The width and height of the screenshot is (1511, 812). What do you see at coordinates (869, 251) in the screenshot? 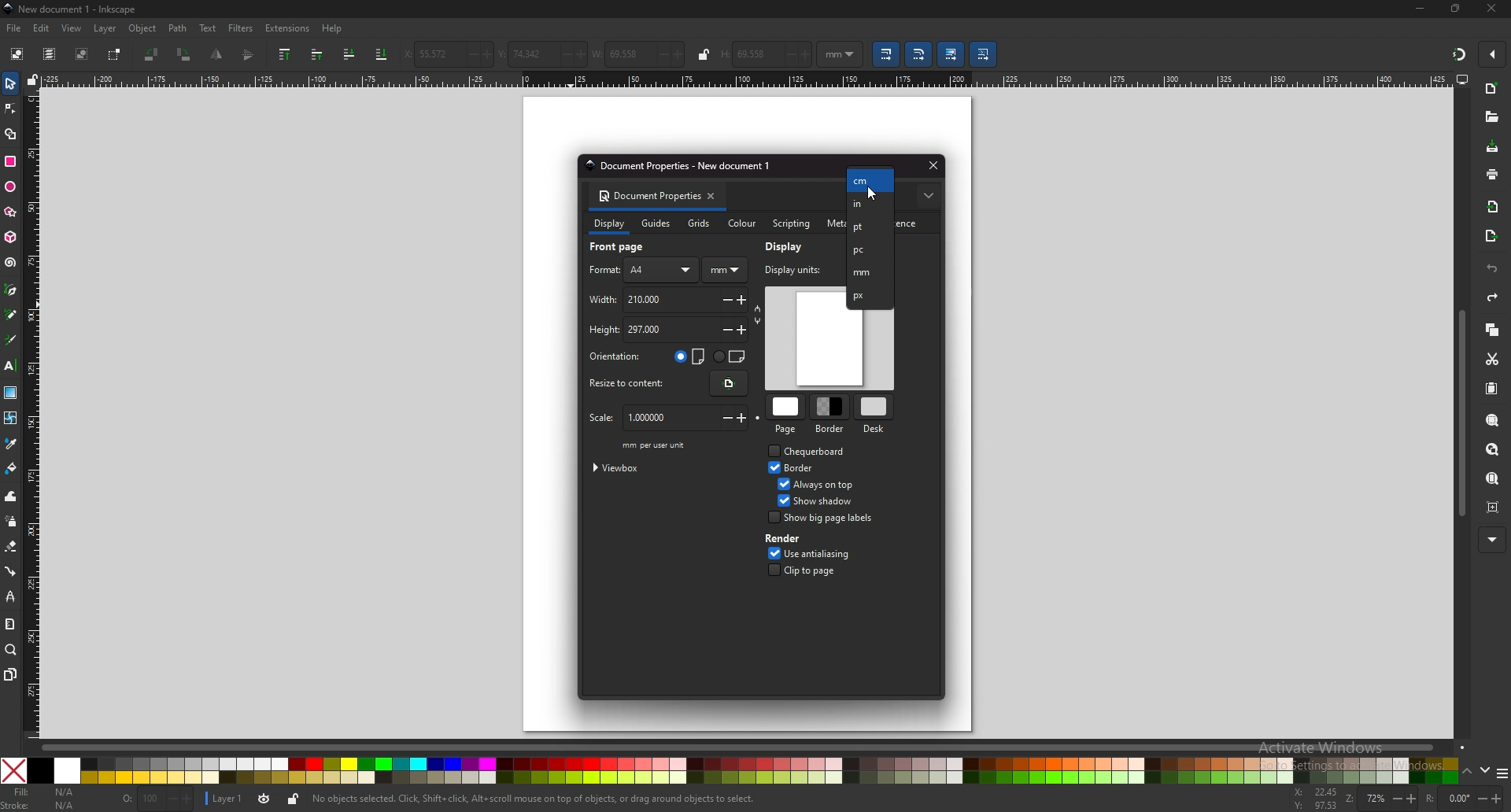
I see `pc` at bounding box center [869, 251].